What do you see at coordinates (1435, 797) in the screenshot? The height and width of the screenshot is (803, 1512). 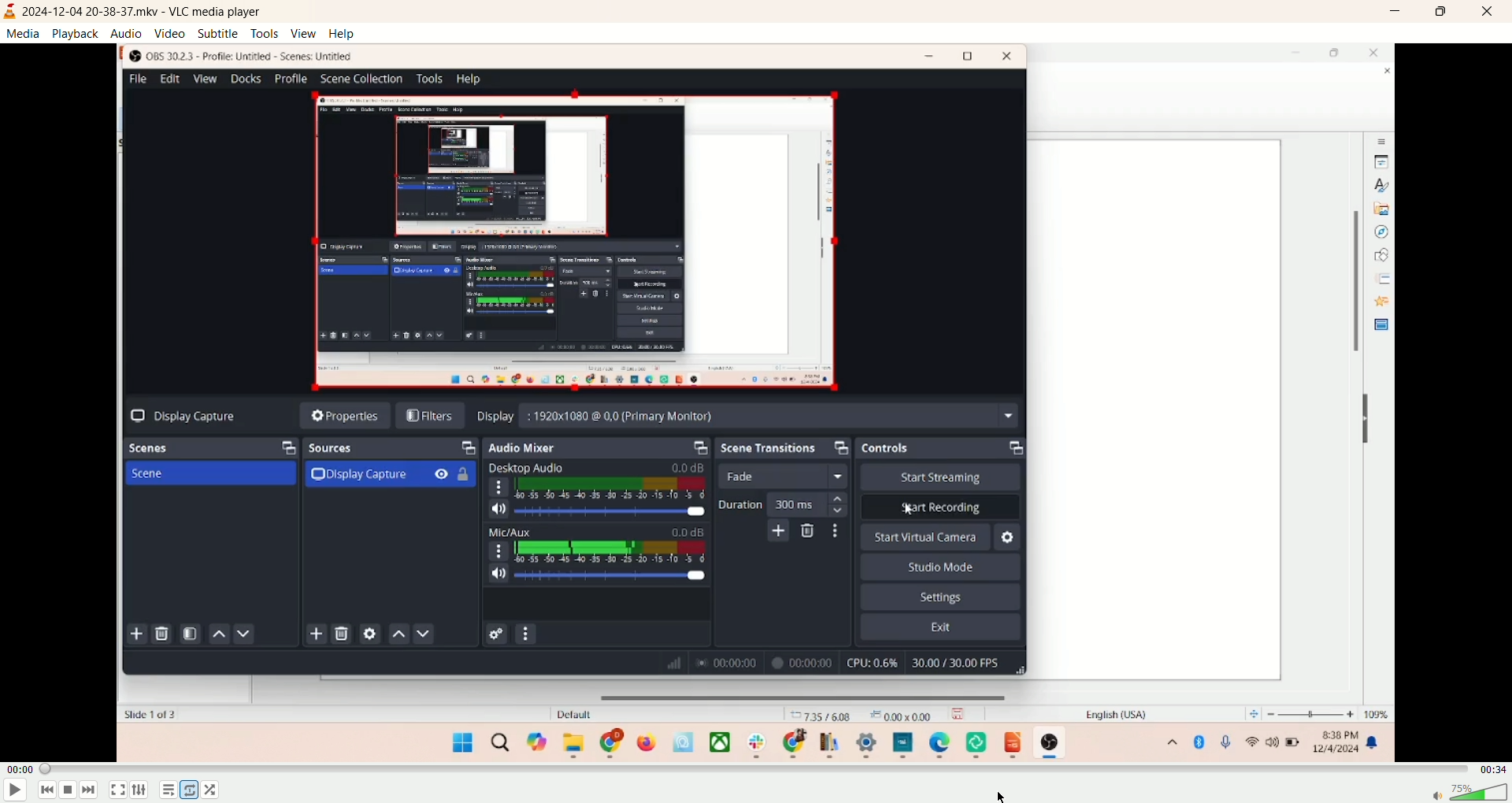 I see `mute` at bounding box center [1435, 797].